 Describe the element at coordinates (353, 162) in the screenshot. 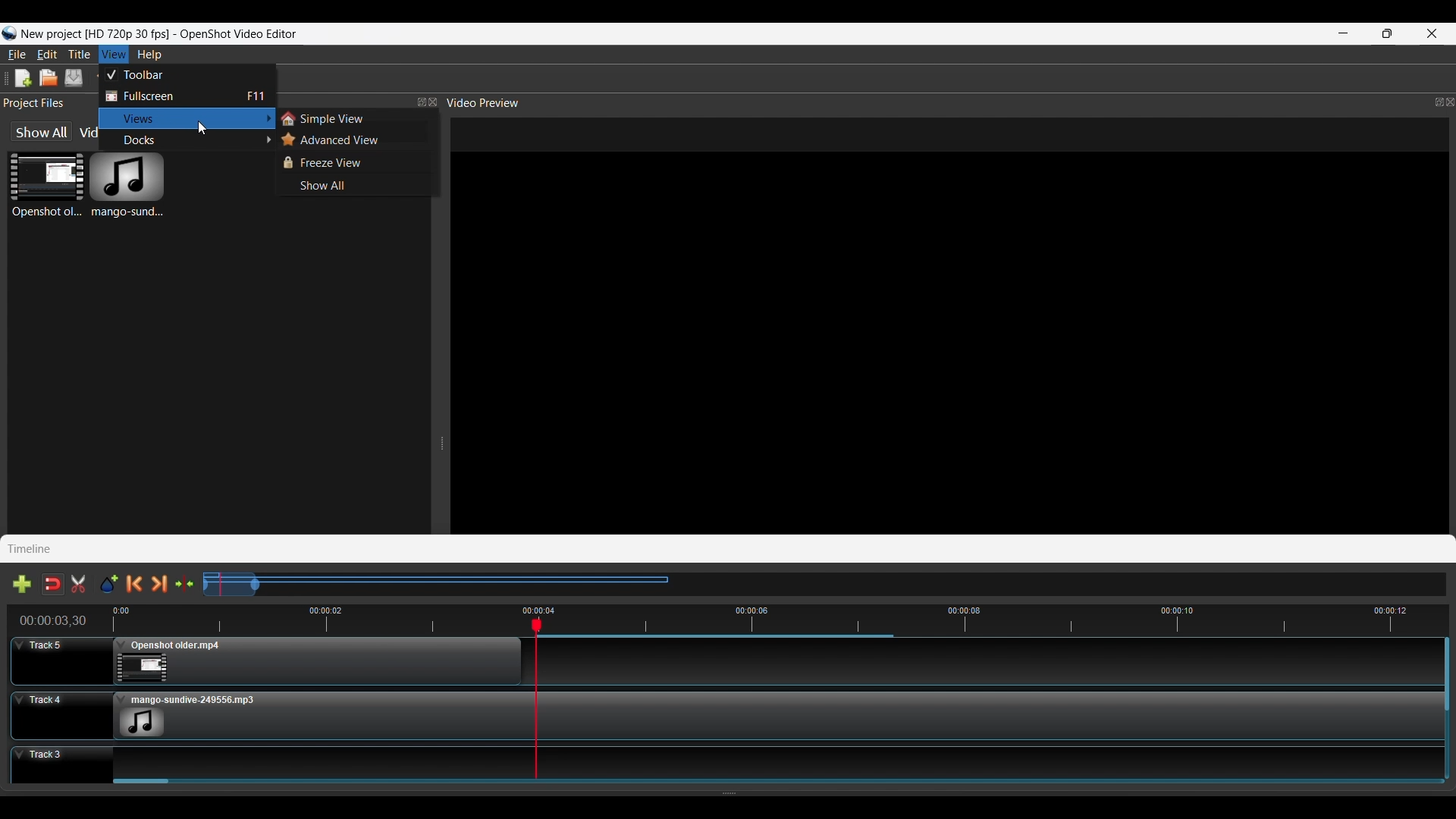

I see `Freeze View` at that location.